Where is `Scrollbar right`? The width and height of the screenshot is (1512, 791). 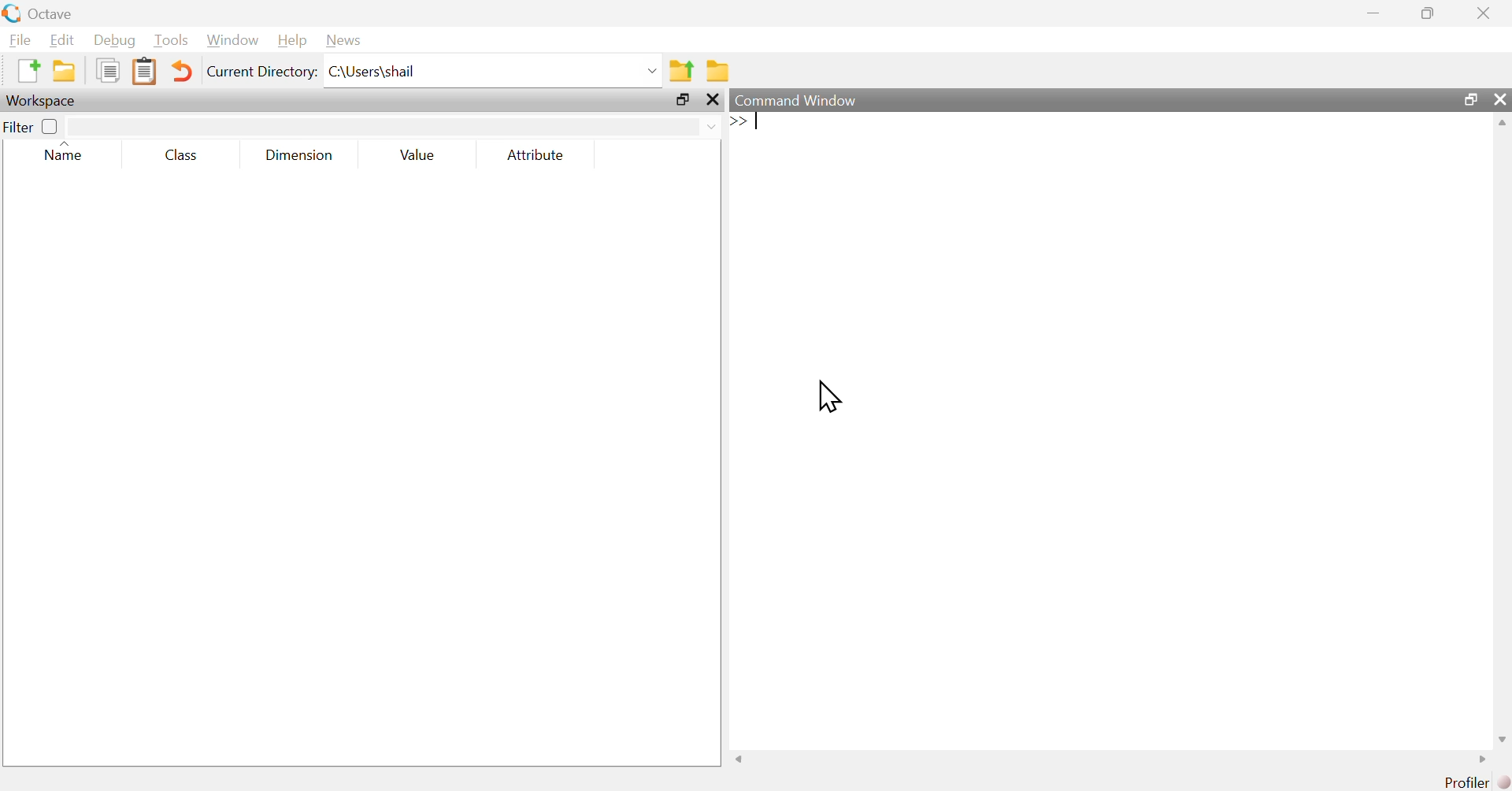 Scrollbar right is located at coordinates (1479, 759).